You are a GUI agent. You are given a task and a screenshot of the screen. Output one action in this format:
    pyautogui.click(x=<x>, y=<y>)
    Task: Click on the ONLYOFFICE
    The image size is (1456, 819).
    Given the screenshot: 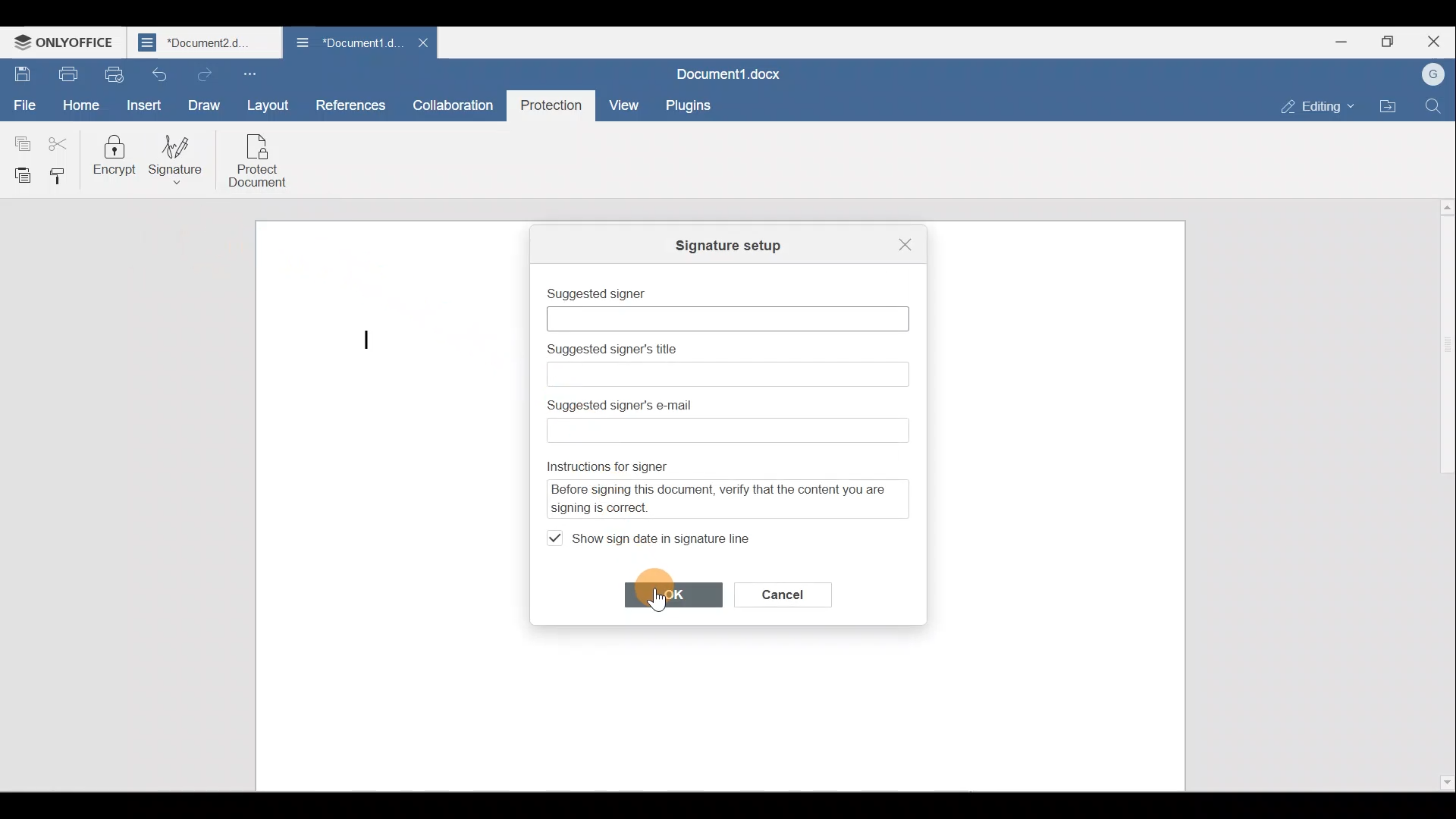 What is the action you would take?
    pyautogui.click(x=64, y=44)
    